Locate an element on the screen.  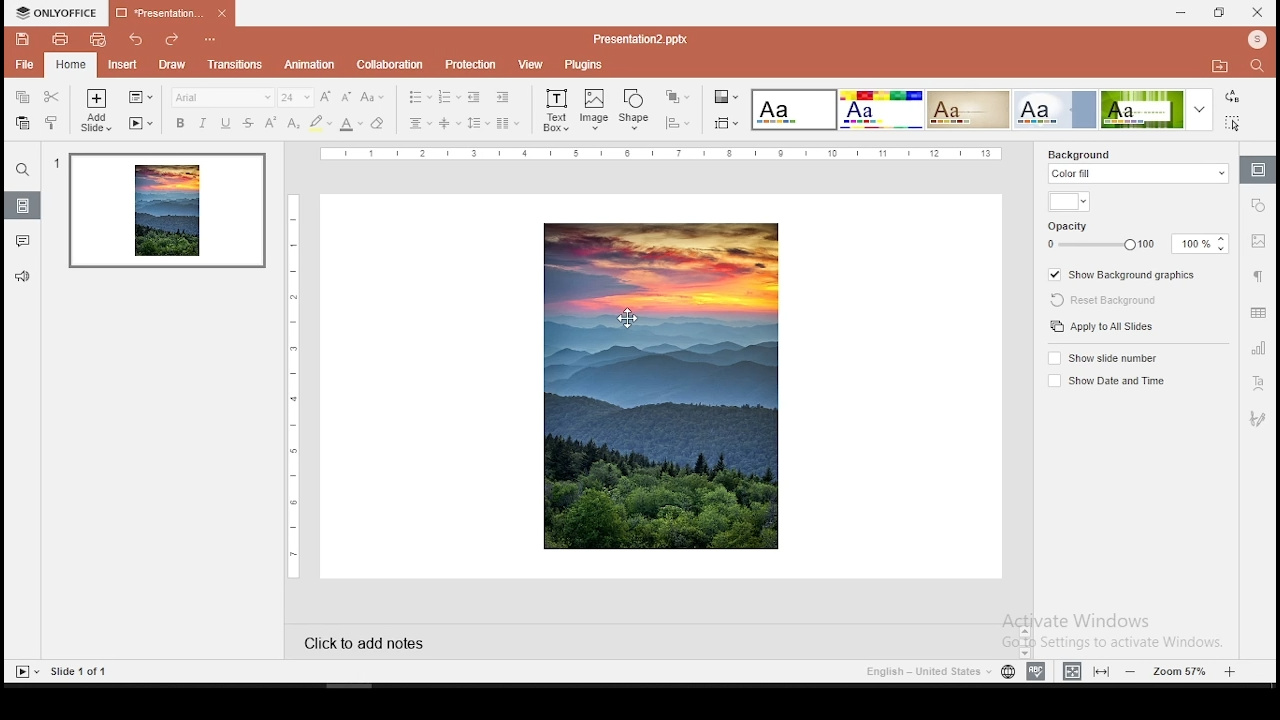
table settings is located at coordinates (1260, 314).